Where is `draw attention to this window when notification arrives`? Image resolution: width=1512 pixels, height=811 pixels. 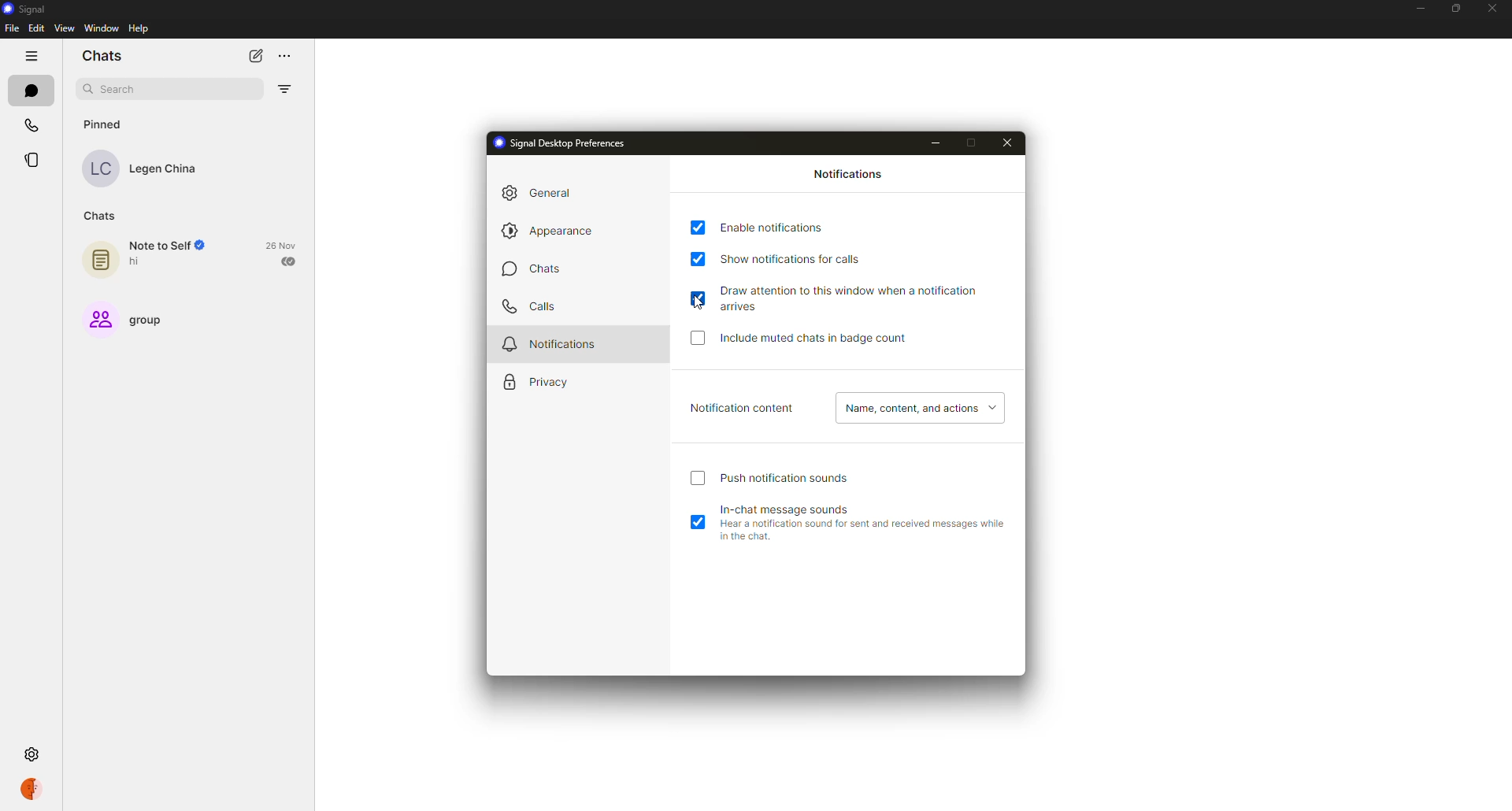 draw attention to this window when notification arrives is located at coordinates (868, 298).